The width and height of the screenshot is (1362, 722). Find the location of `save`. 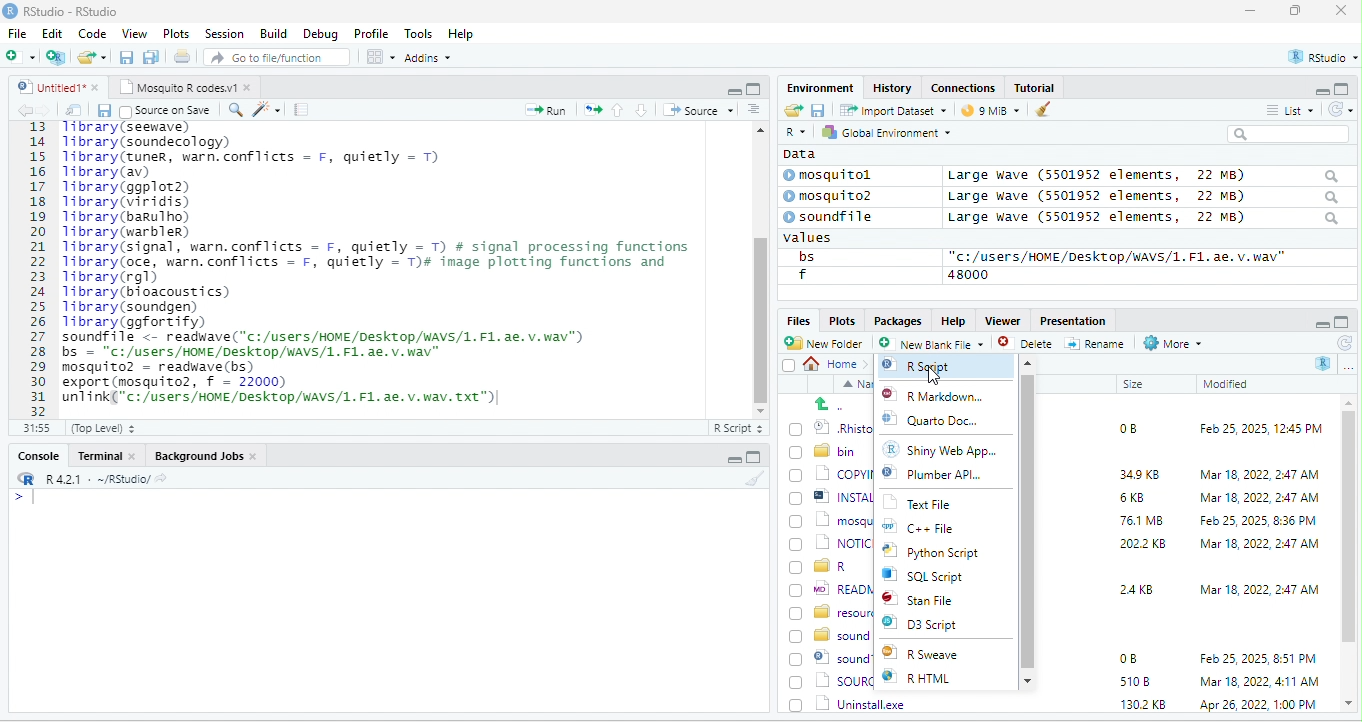

save is located at coordinates (103, 110).